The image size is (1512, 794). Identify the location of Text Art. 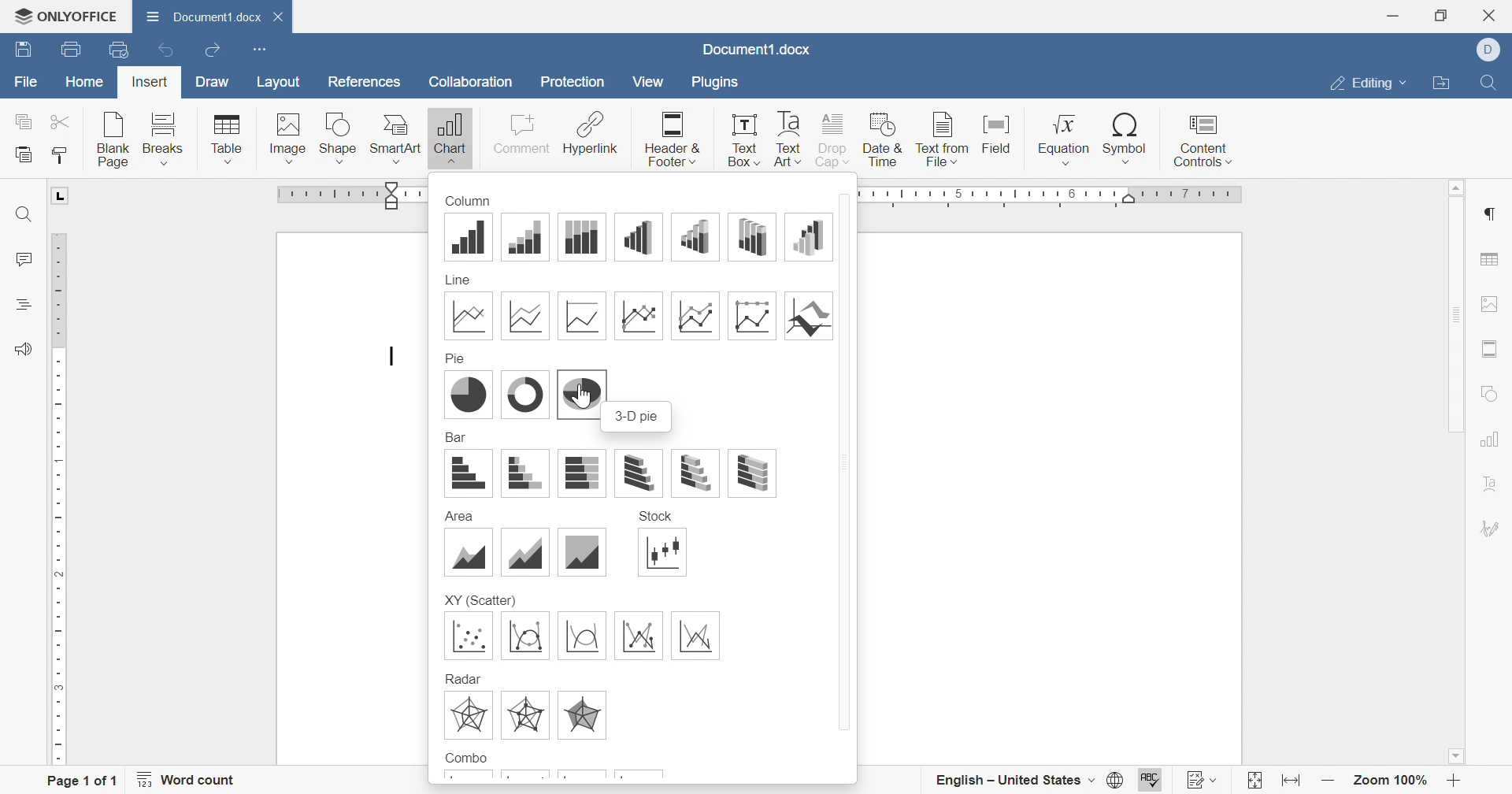
(789, 139).